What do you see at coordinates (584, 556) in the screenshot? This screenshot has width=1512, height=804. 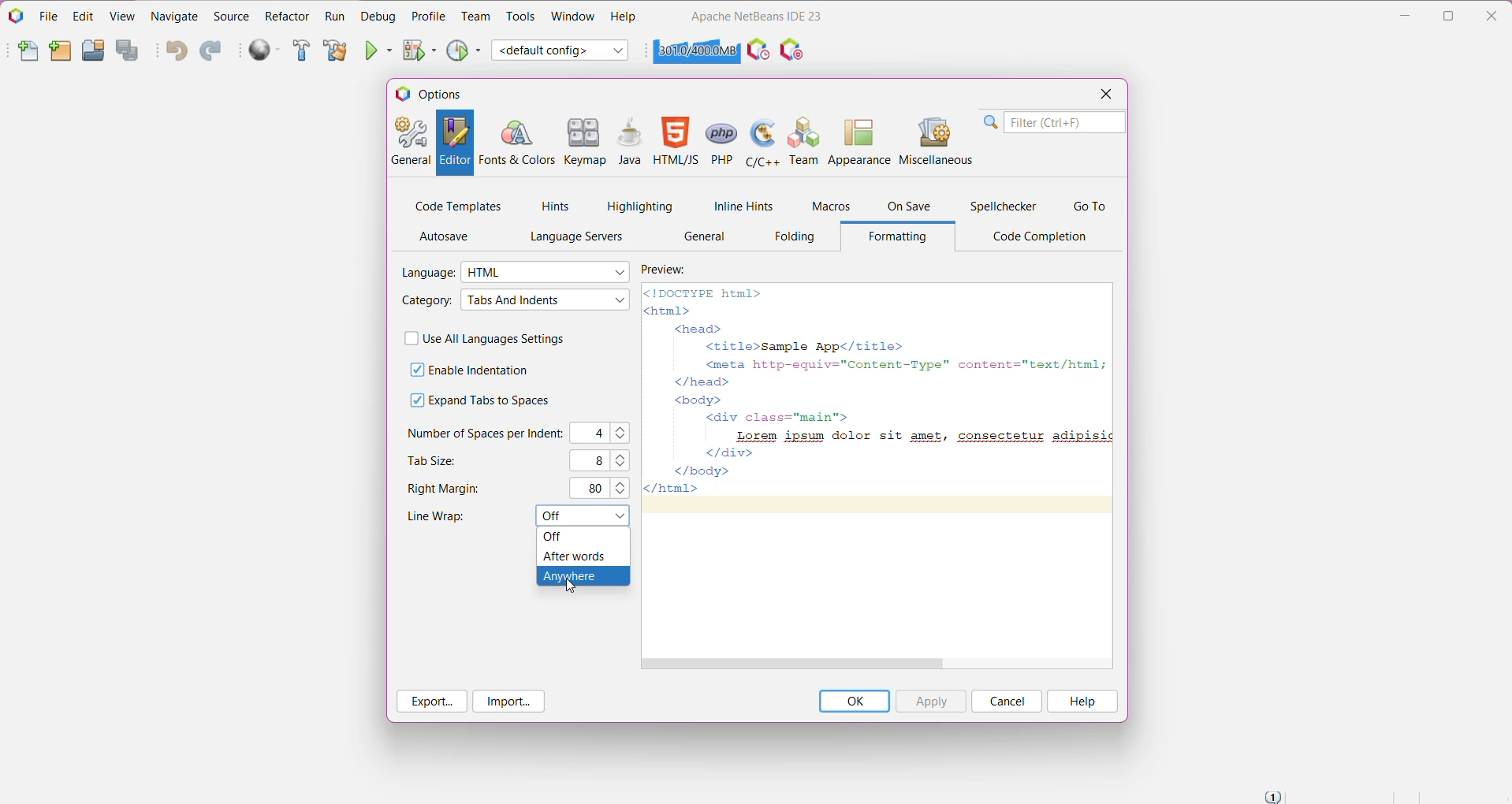 I see `After words` at bounding box center [584, 556].